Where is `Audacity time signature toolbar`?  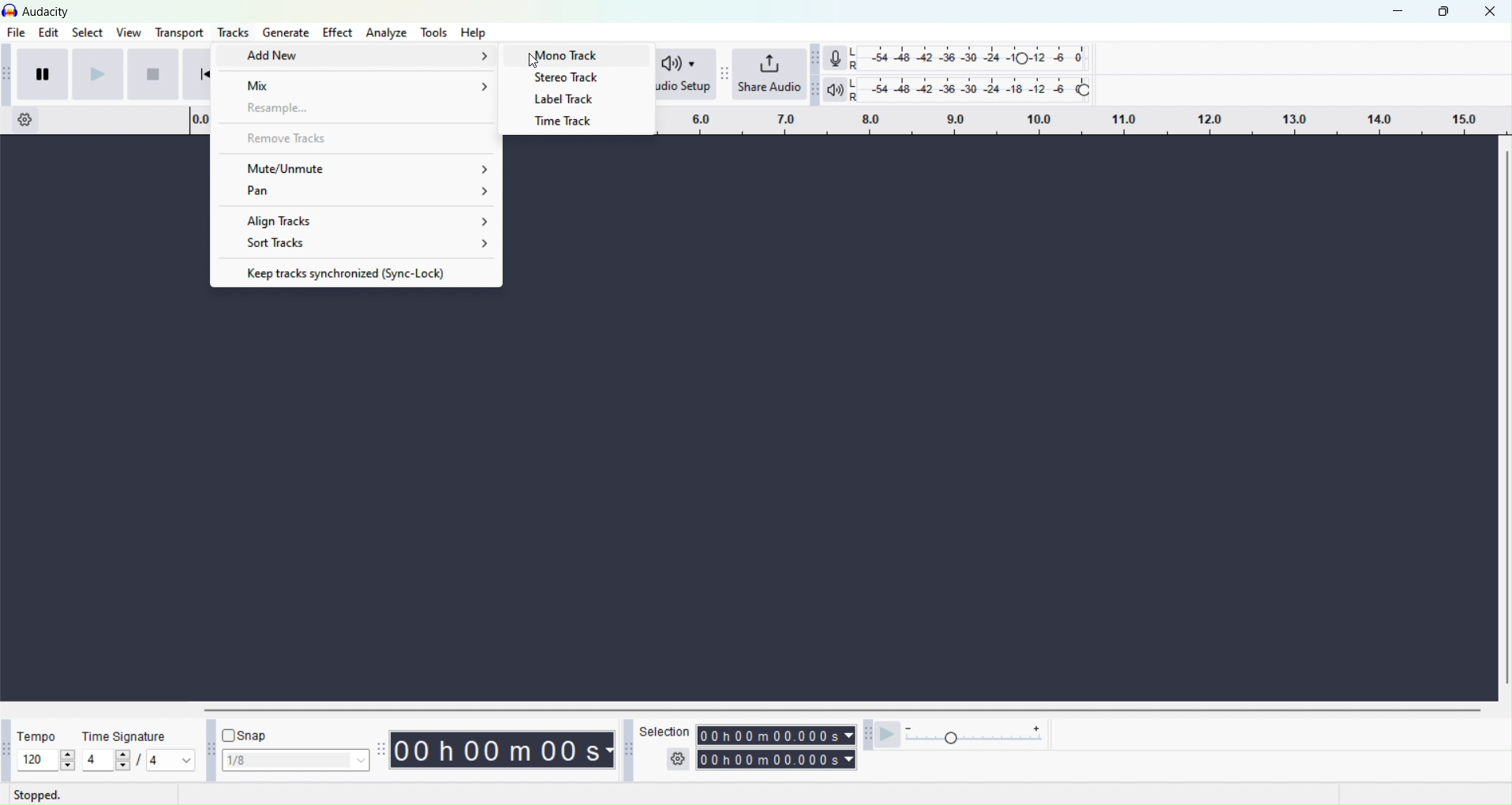 Audacity time signature toolbar is located at coordinates (5, 750).